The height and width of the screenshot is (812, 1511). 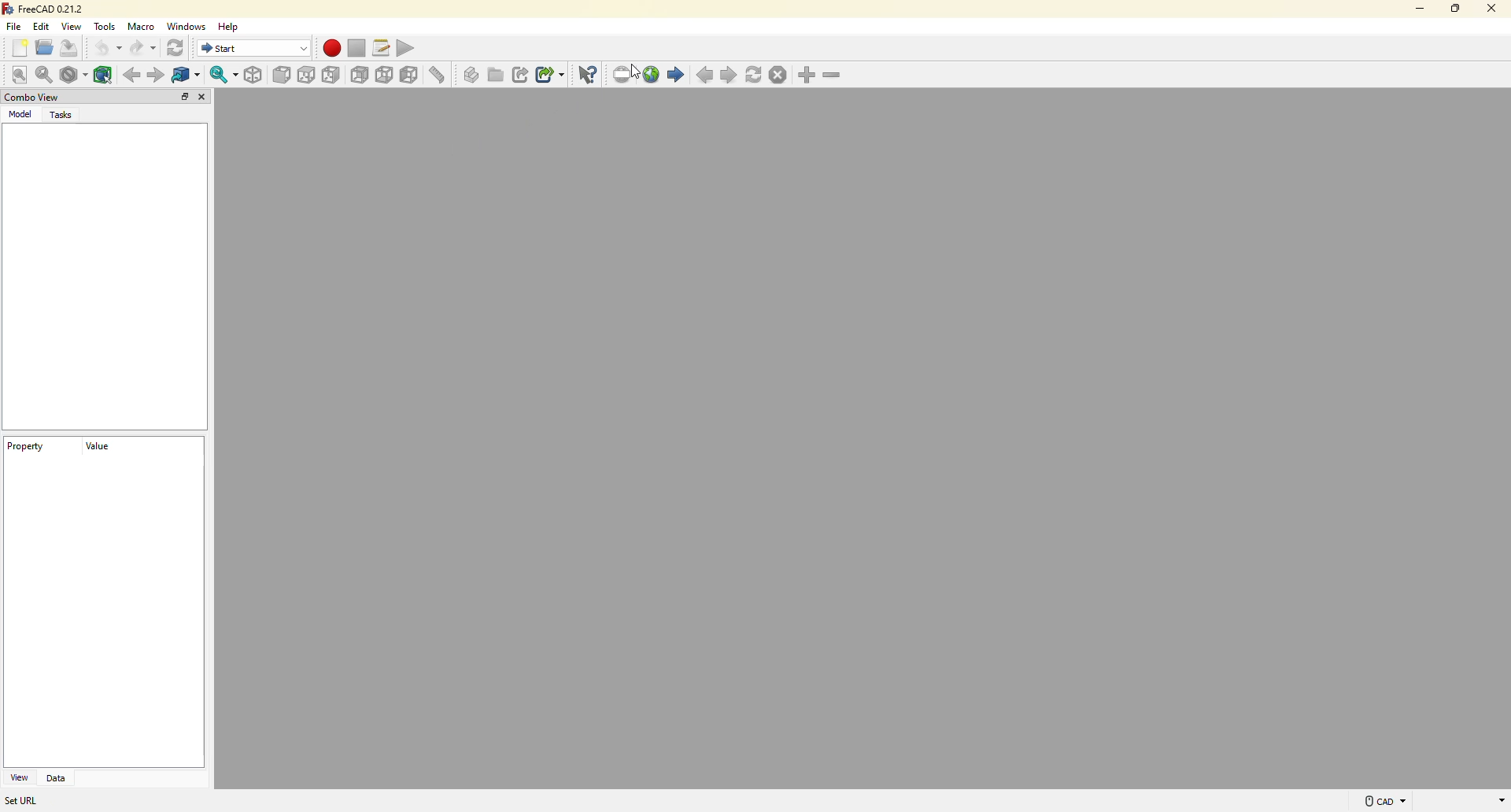 I want to click on freecad, so click(x=45, y=9).